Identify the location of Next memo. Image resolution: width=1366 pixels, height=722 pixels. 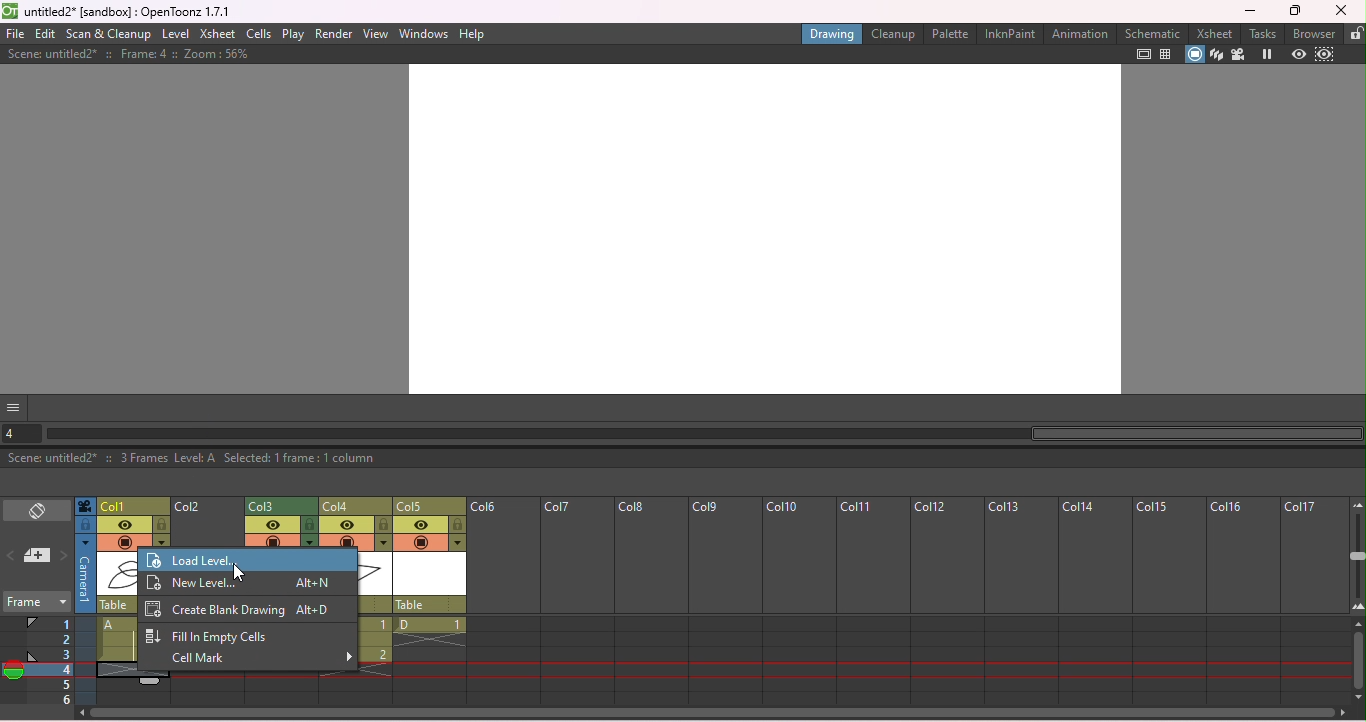
(64, 557).